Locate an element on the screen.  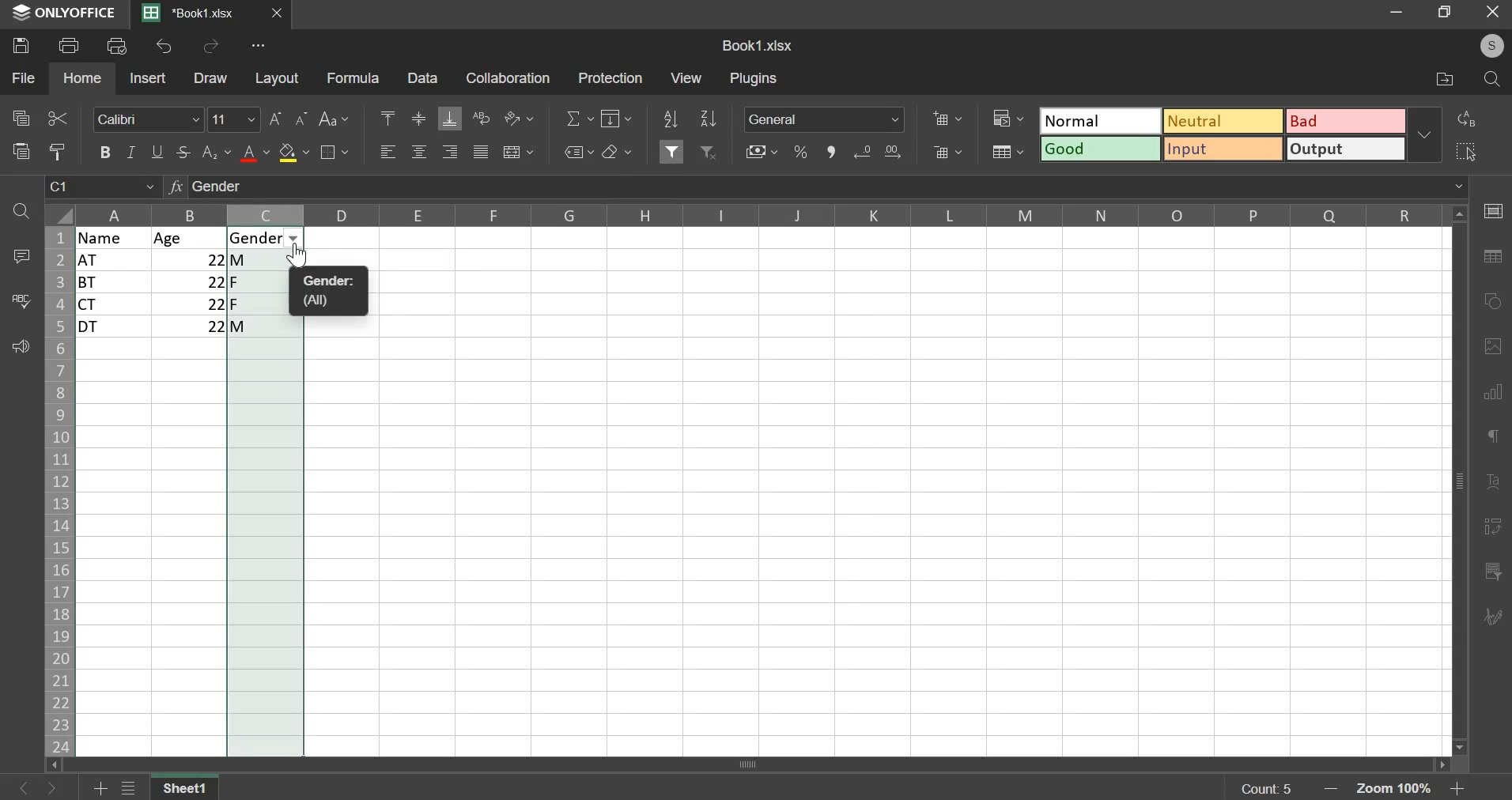
font size increase is located at coordinates (275, 119).